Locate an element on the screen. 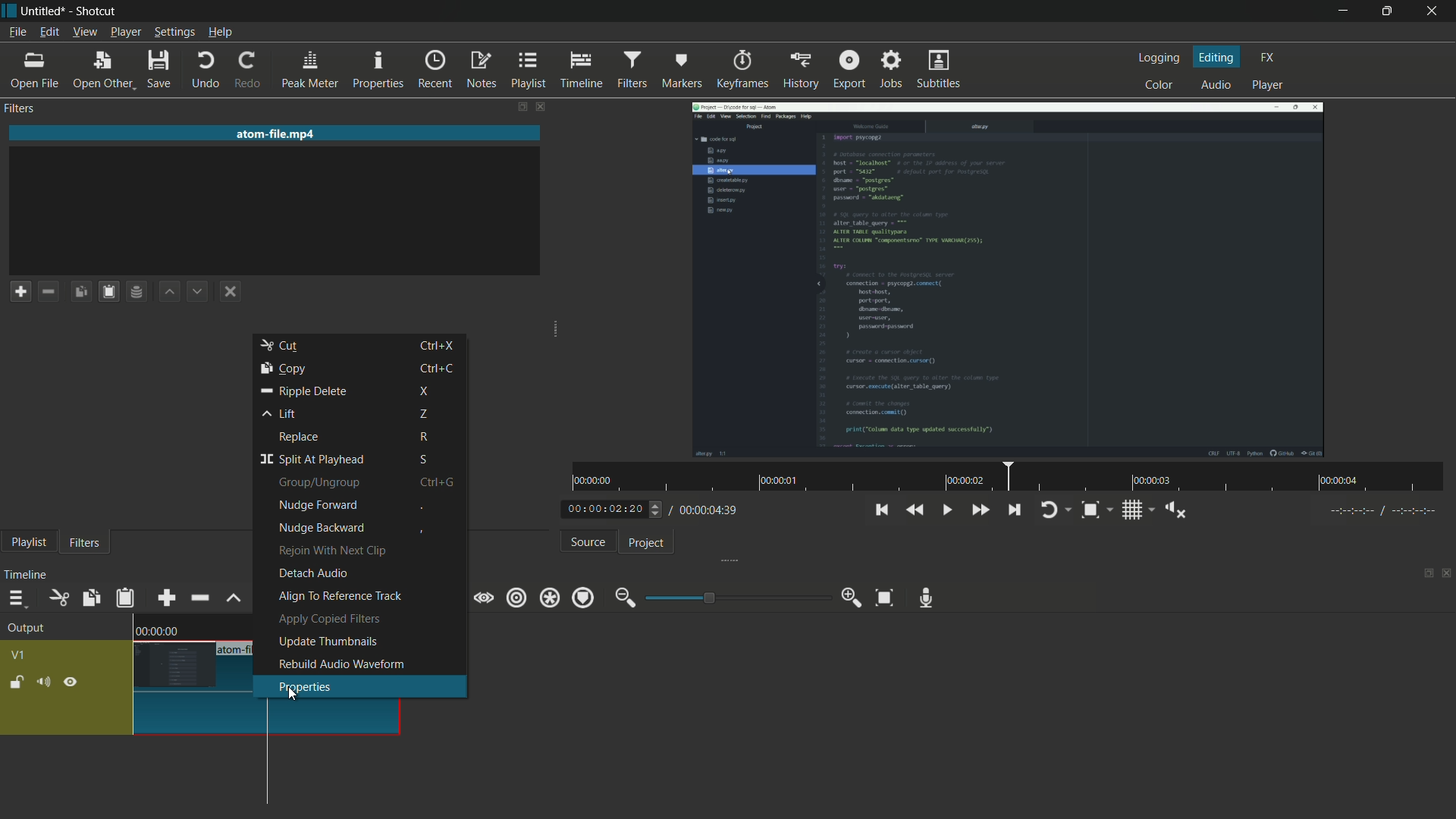 Image resolution: width=1456 pixels, height=819 pixels. append is located at coordinates (165, 598).